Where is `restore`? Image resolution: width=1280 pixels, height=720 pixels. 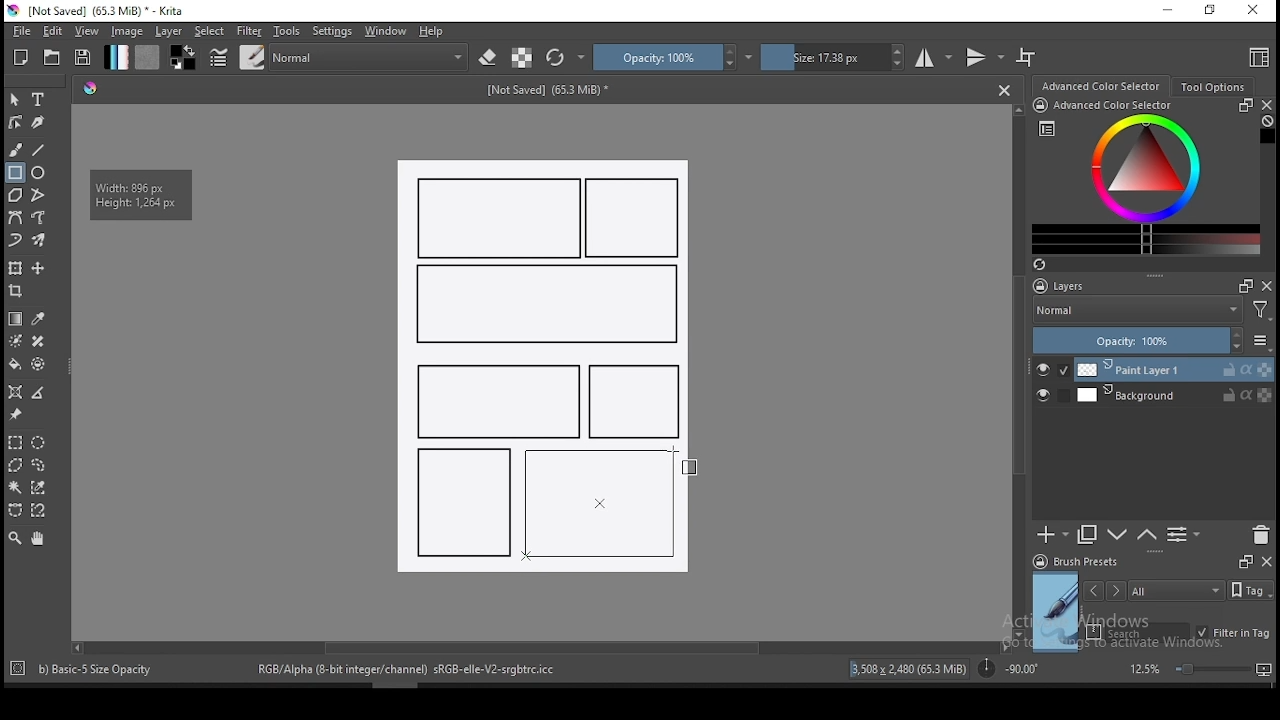 restore is located at coordinates (1214, 11).